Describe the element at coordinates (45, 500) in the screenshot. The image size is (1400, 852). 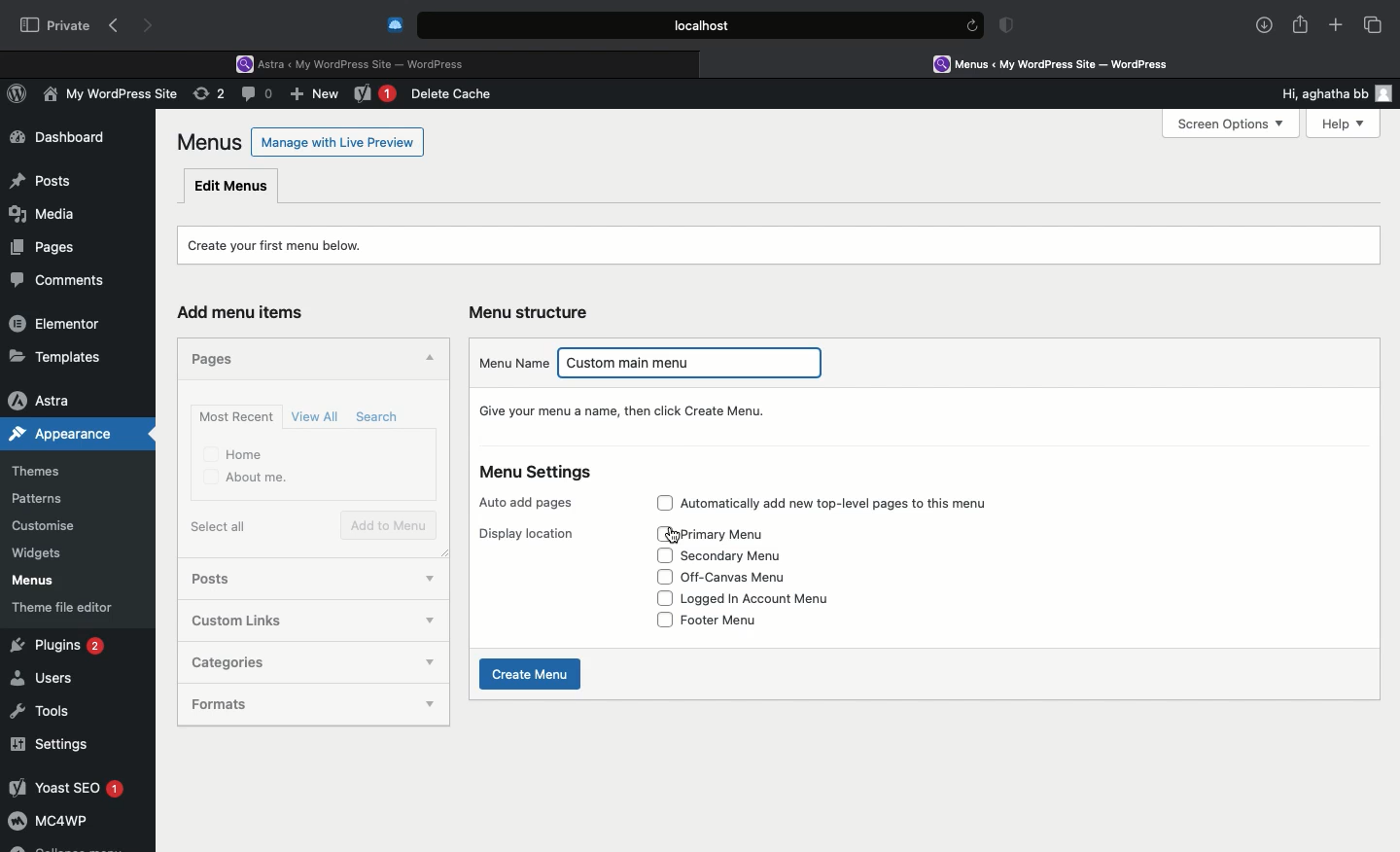
I see `Patterns` at that location.